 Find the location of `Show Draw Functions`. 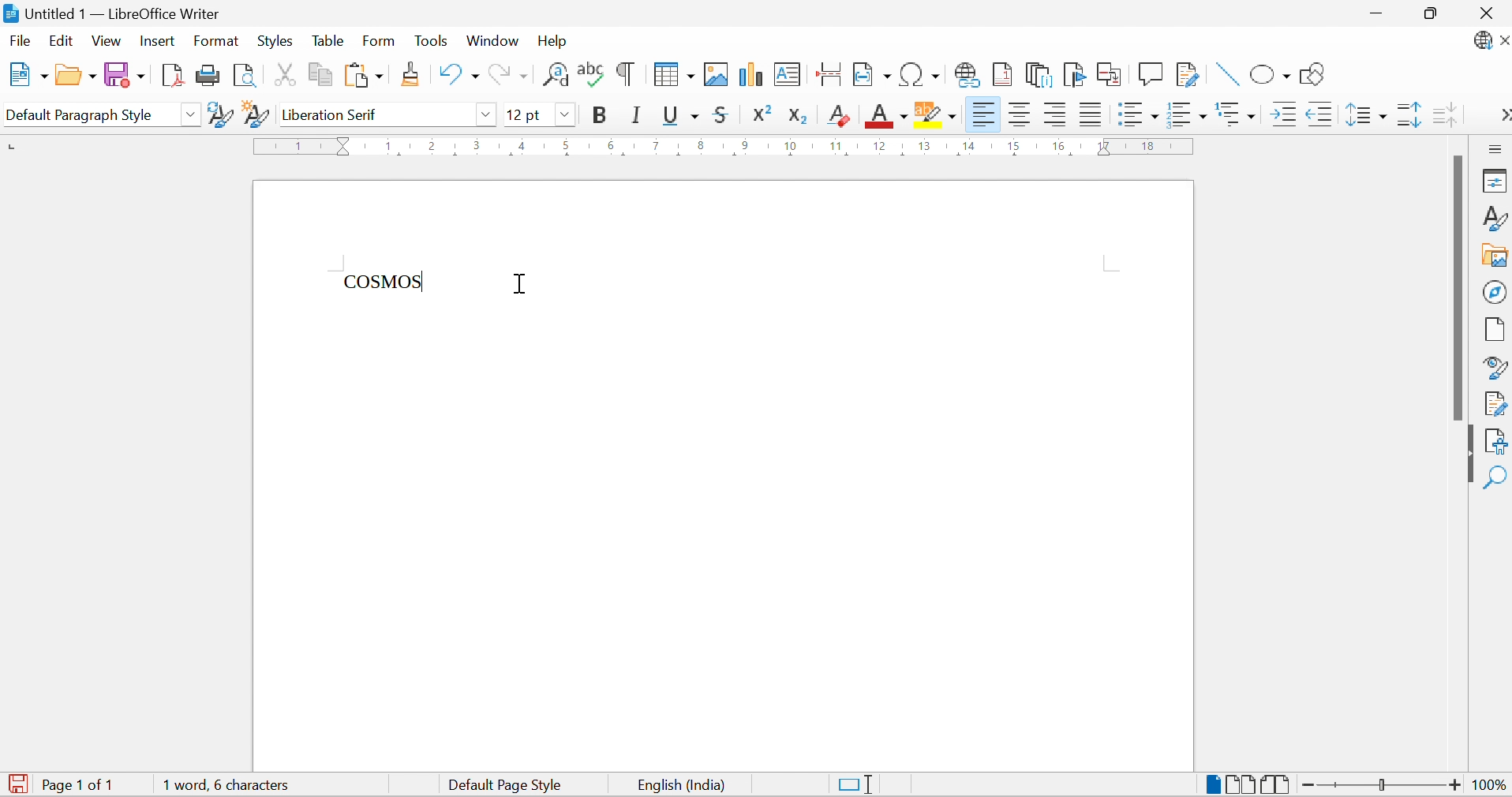

Show Draw Functions is located at coordinates (1313, 75).